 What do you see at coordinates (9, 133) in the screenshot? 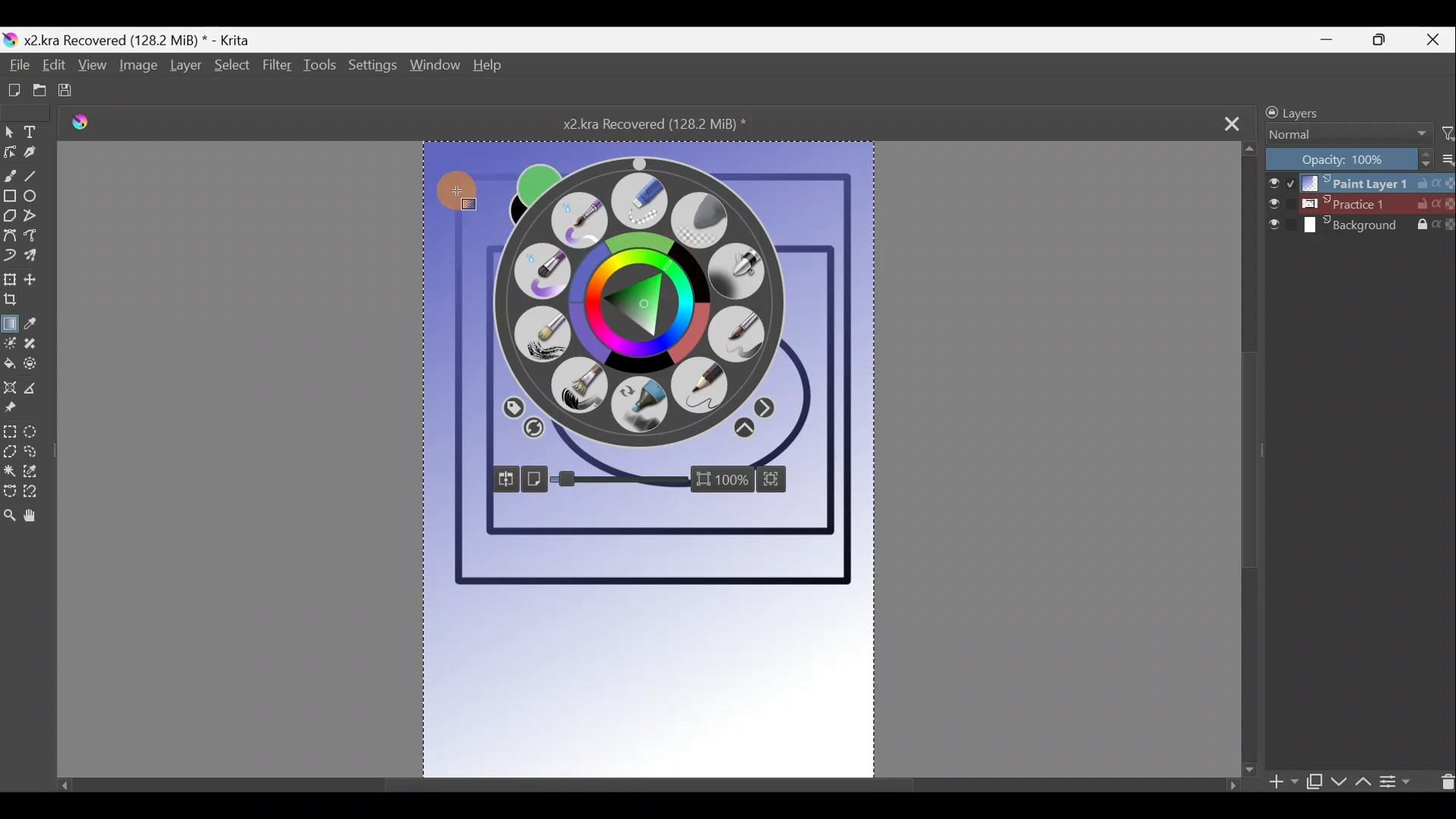
I see `Select shapes tool` at bounding box center [9, 133].